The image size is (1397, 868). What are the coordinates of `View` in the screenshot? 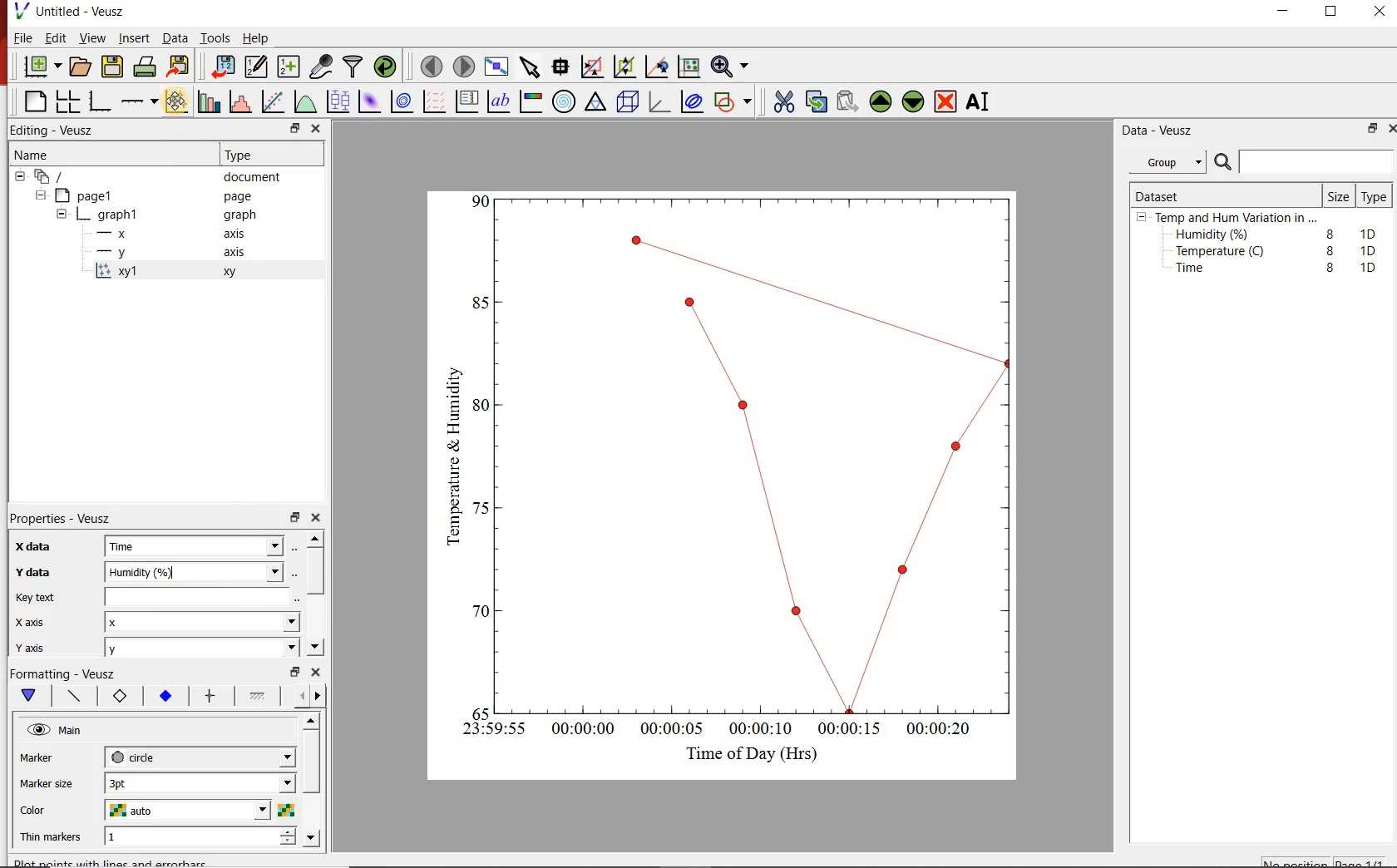 It's located at (92, 38).